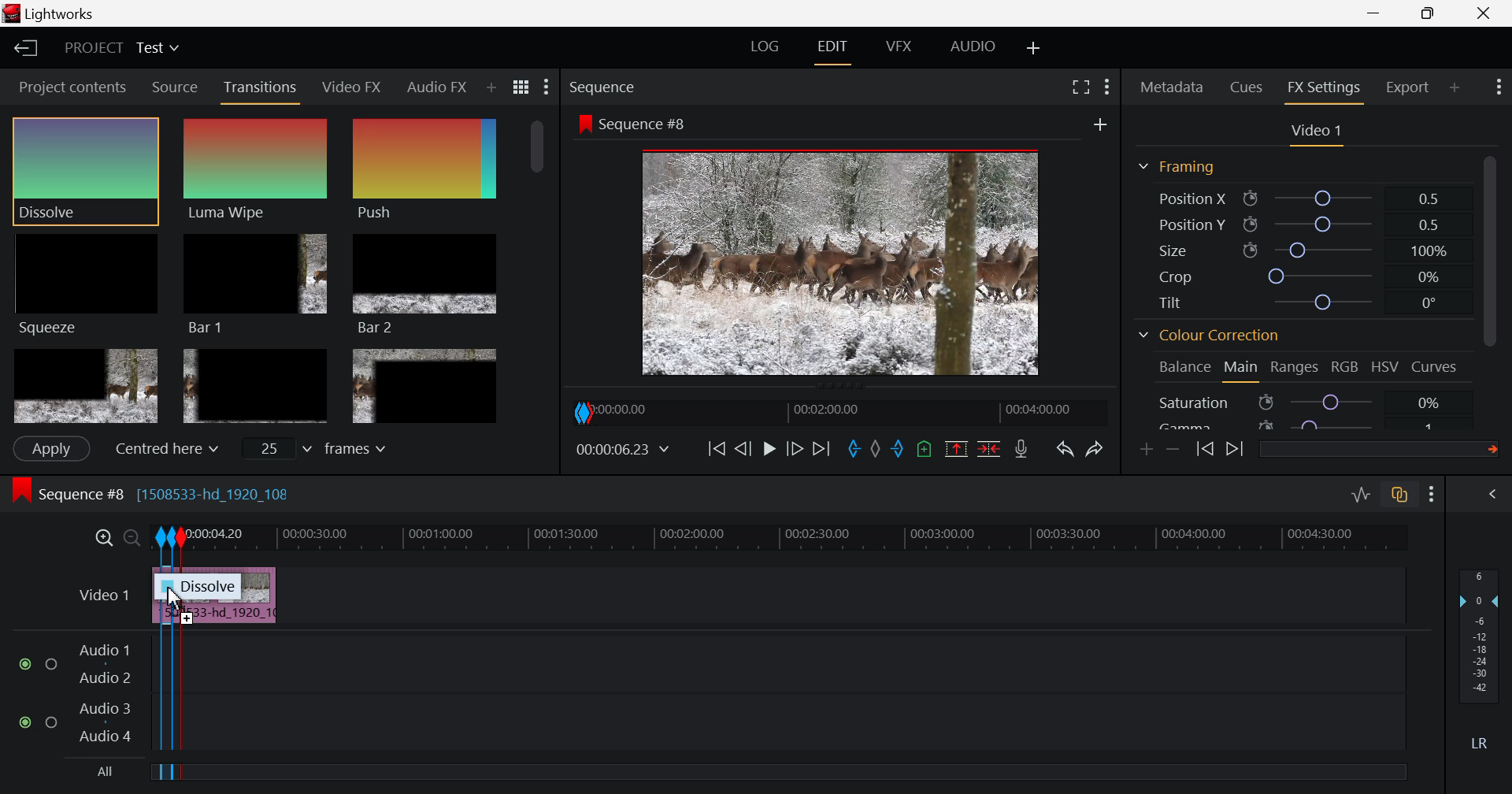  What do you see at coordinates (1304, 224) in the screenshot?
I see `Position Y` at bounding box center [1304, 224].